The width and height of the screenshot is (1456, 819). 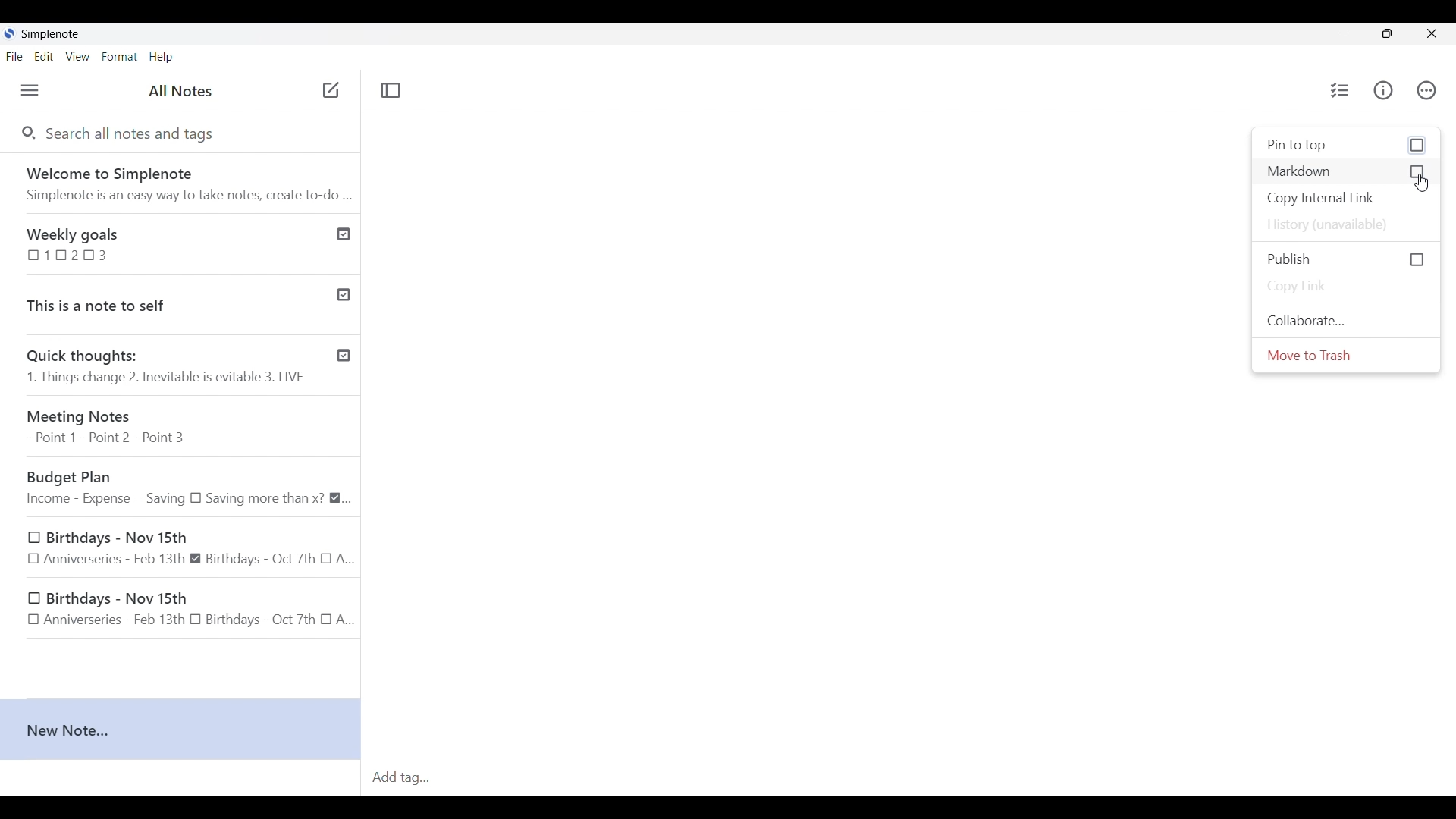 What do you see at coordinates (162, 302) in the screenshot?
I see `This is a note to self` at bounding box center [162, 302].